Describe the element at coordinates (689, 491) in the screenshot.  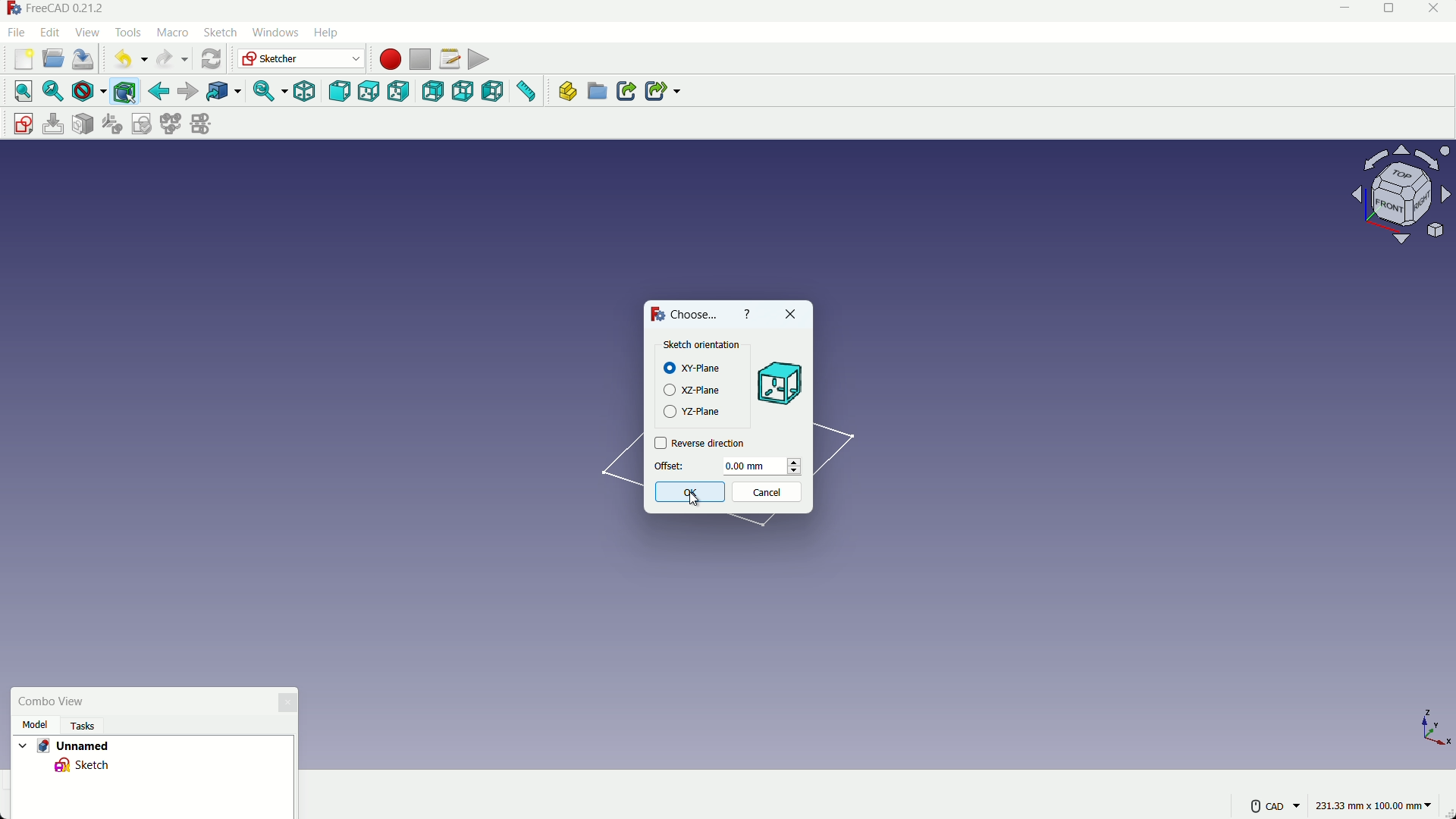
I see `ok button` at that location.